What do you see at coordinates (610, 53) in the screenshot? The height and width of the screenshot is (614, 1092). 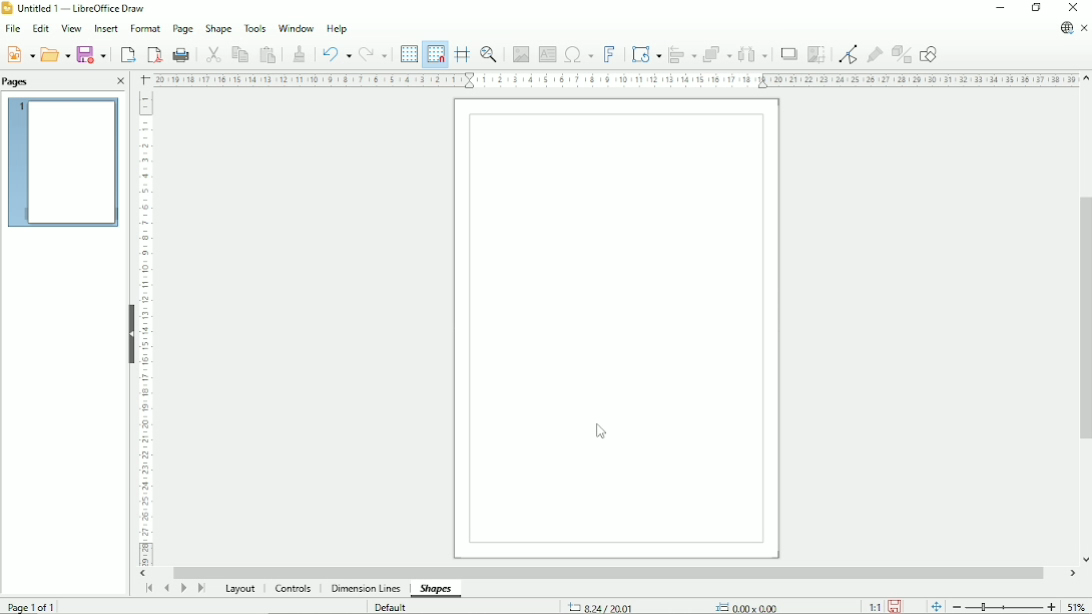 I see `Insert fontwork text` at bounding box center [610, 53].